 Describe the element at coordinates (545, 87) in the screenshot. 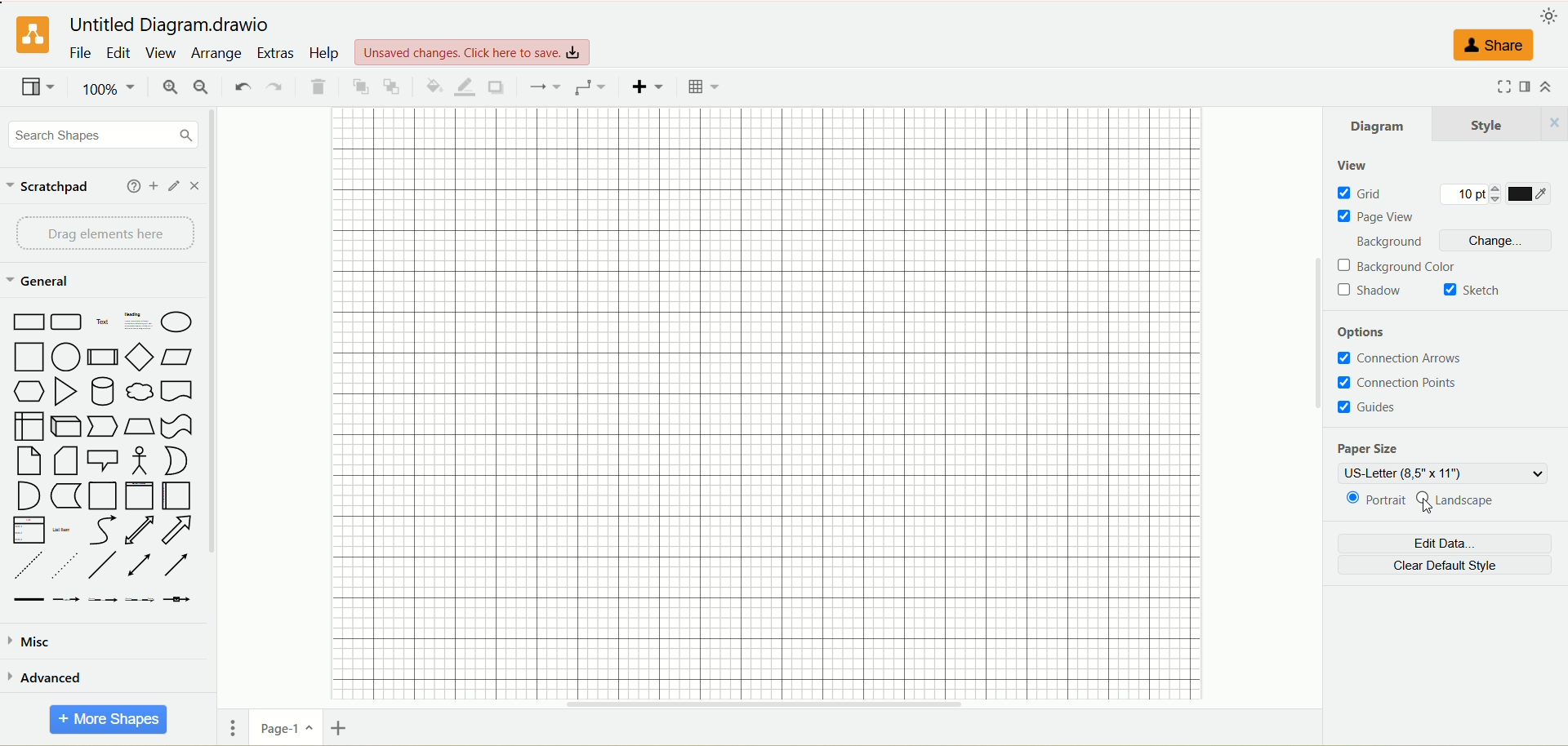

I see `connection` at that location.